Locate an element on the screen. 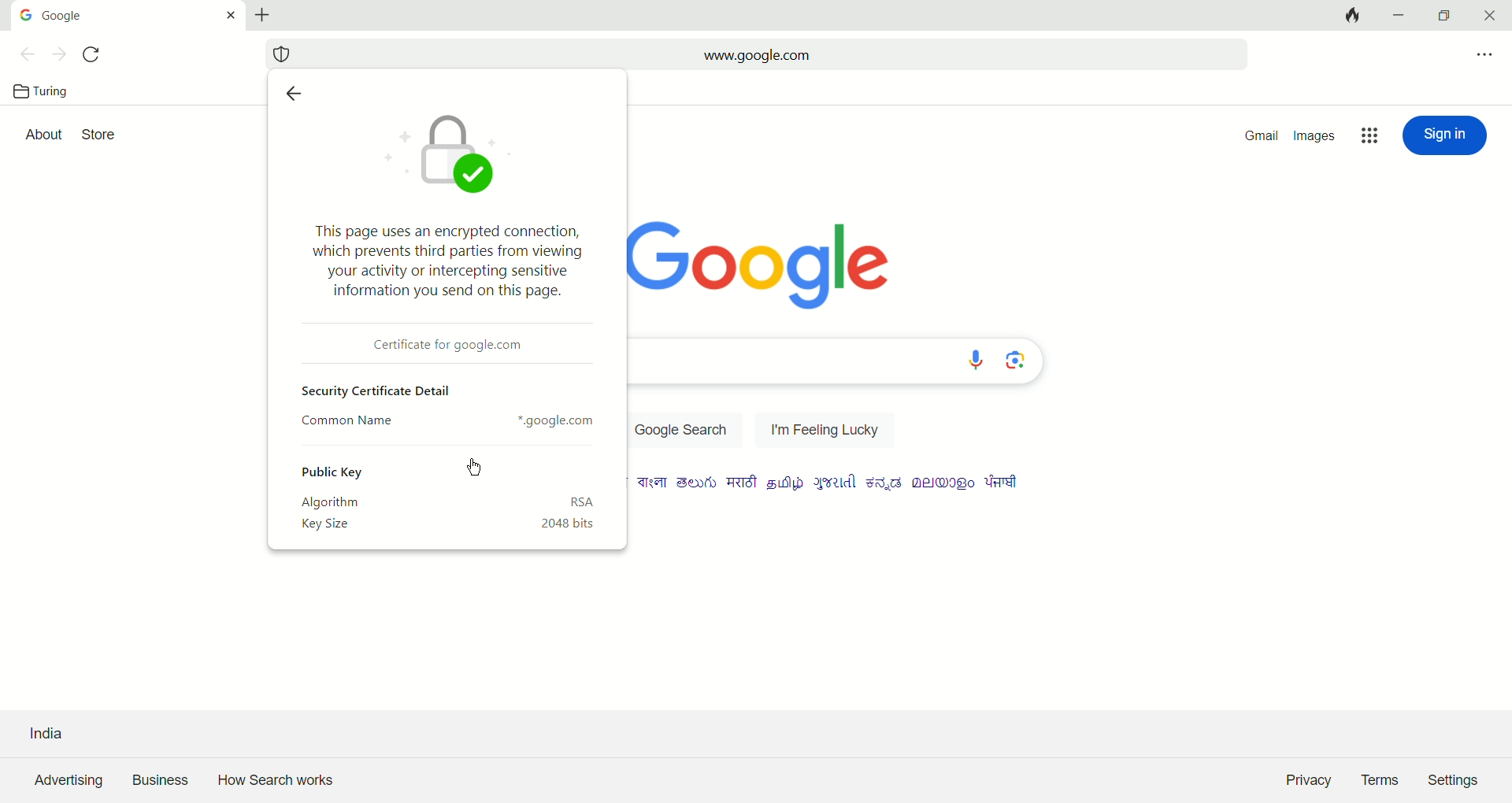  options is located at coordinates (1484, 54).